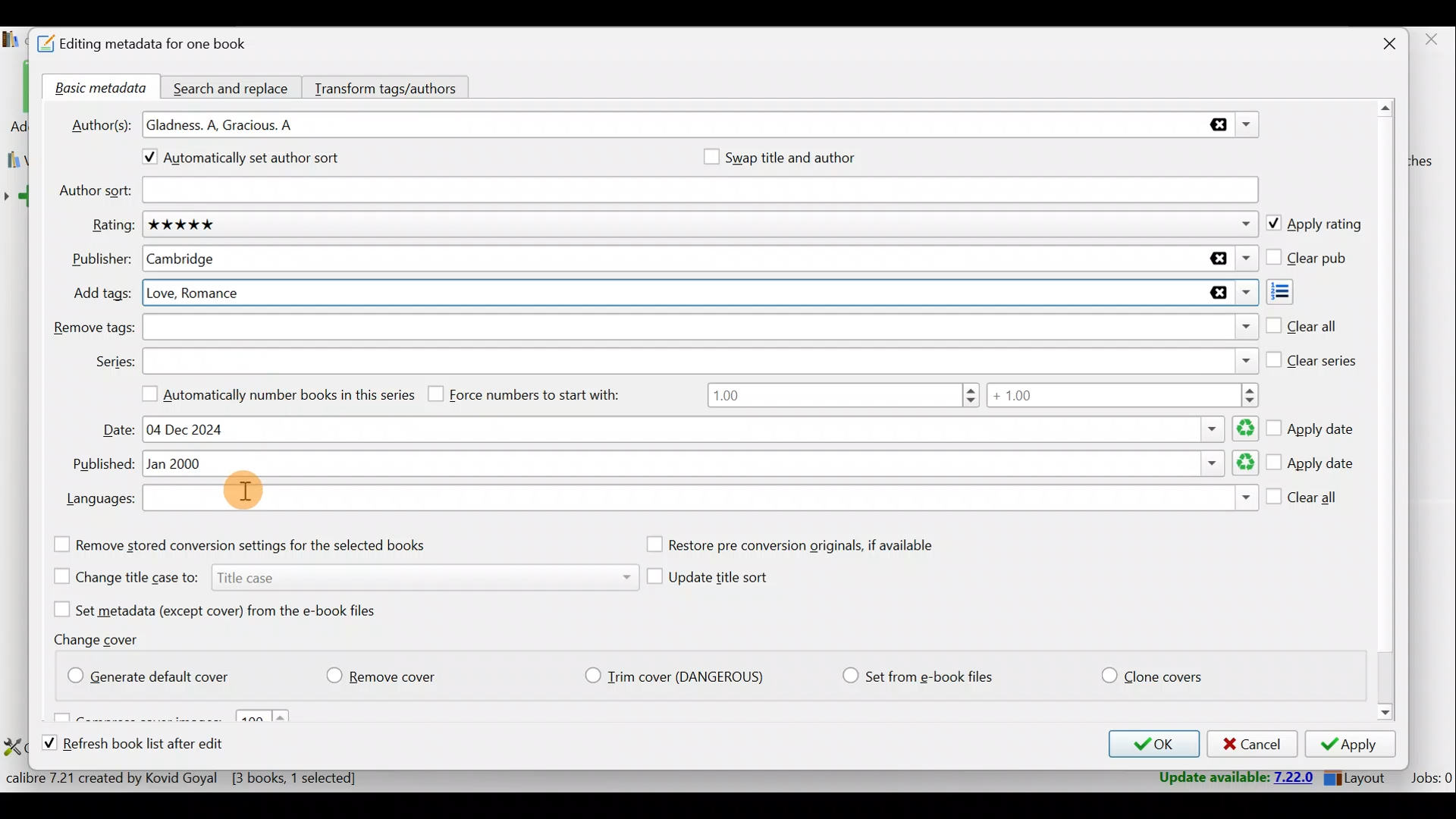 Image resolution: width=1456 pixels, height=819 pixels. What do you see at coordinates (698, 429) in the screenshot?
I see `Date` at bounding box center [698, 429].